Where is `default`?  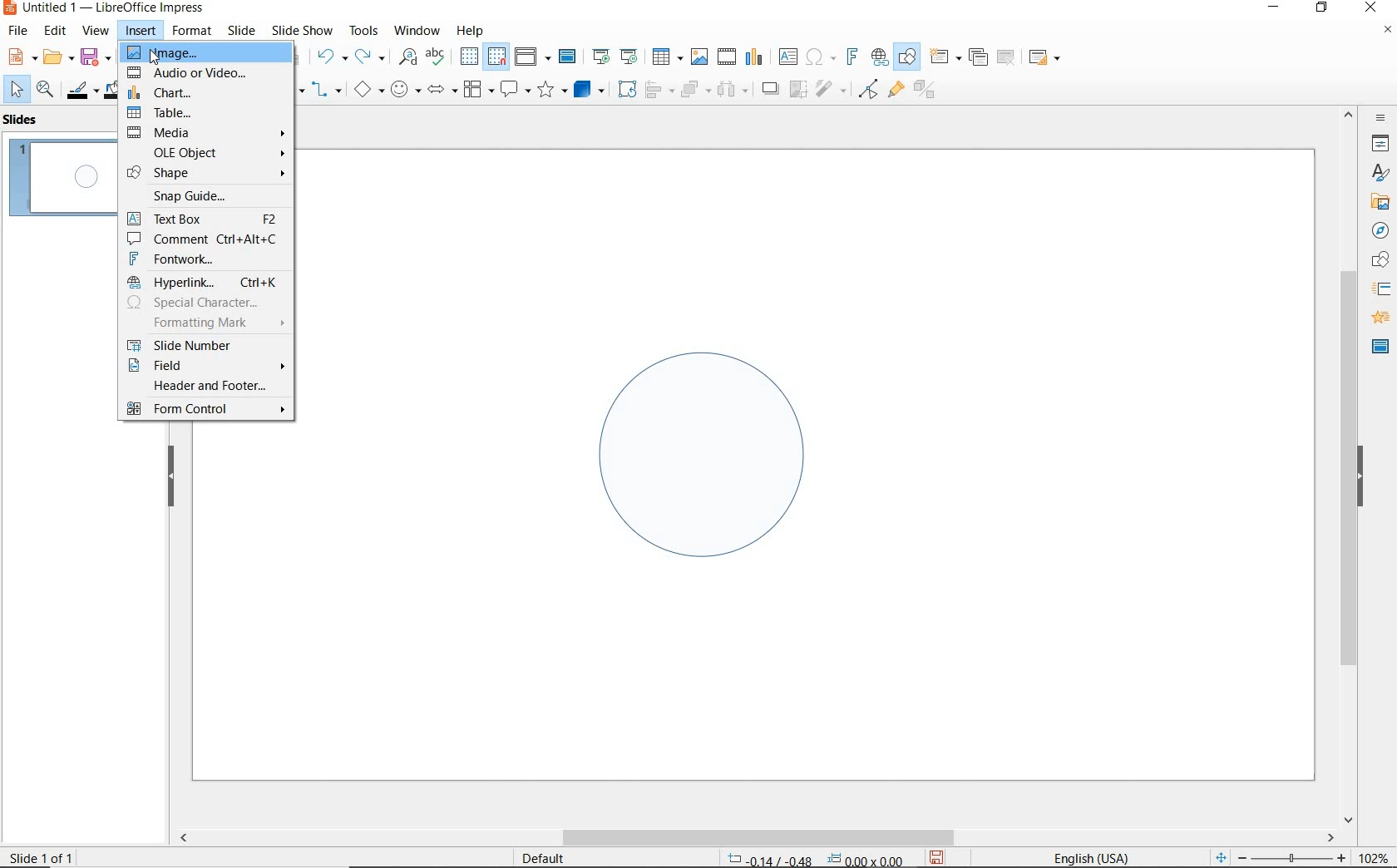
default is located at coordinates (532, 857).